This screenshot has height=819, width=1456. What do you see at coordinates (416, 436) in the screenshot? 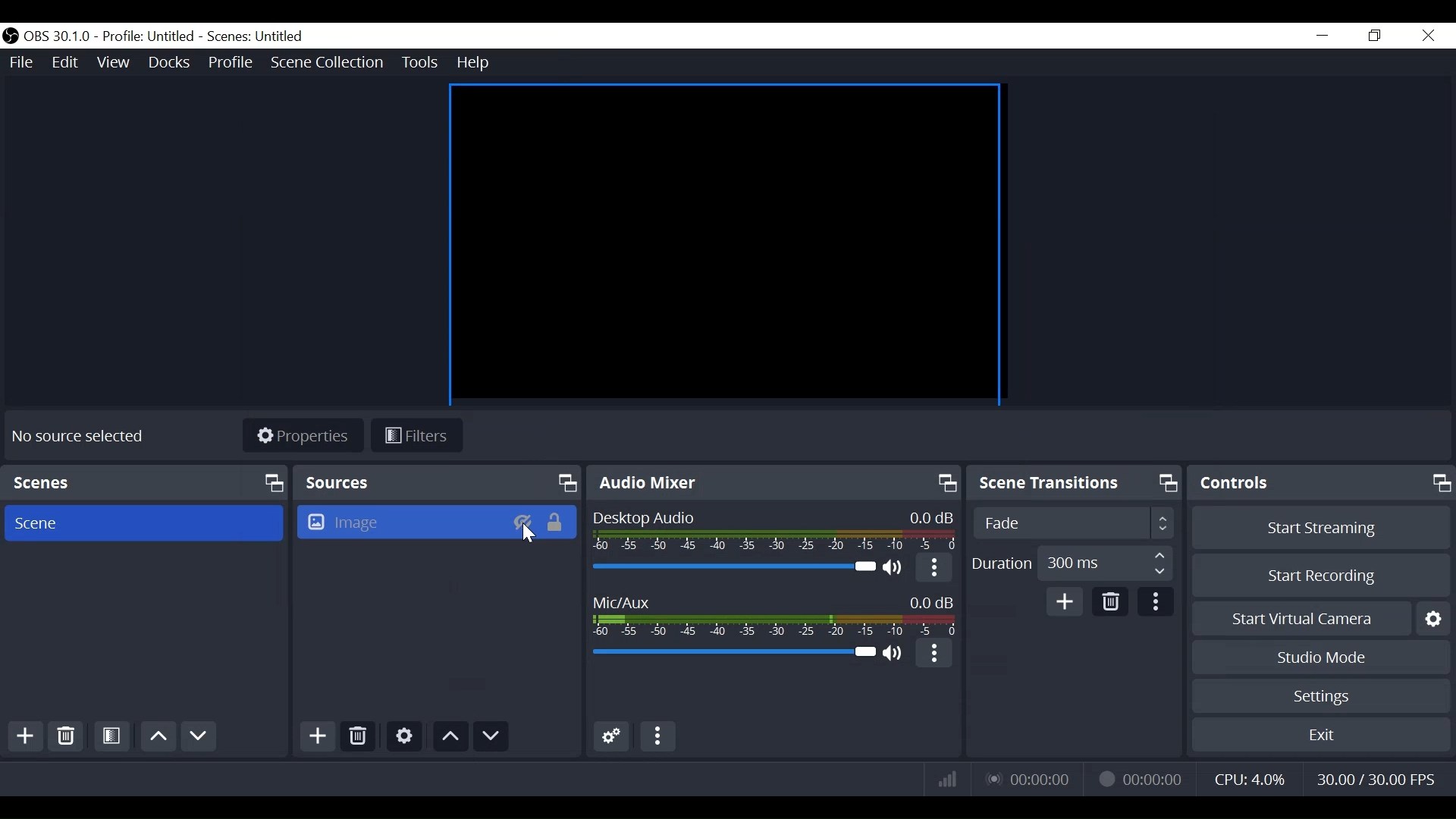
I see `Filters` at bounding box center [416, 436].